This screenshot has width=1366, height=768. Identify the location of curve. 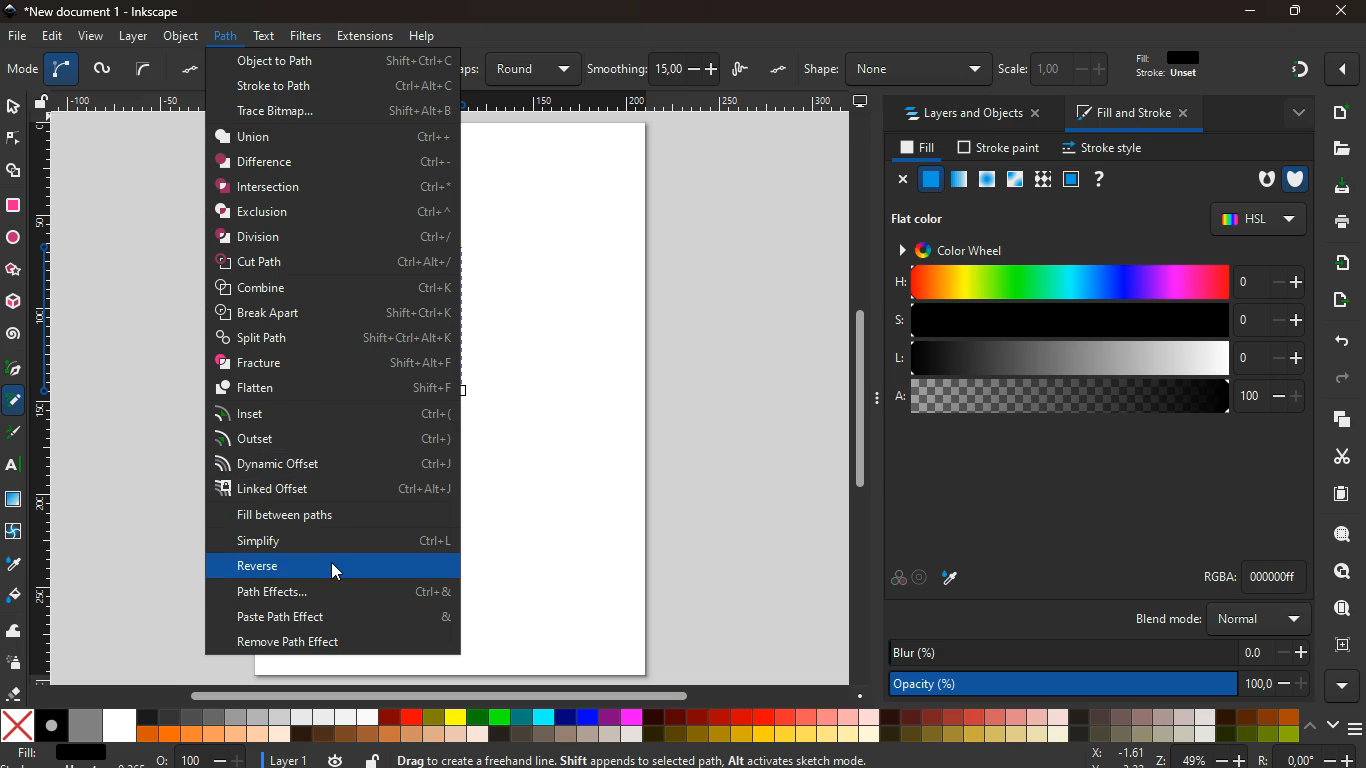
(143, 69).